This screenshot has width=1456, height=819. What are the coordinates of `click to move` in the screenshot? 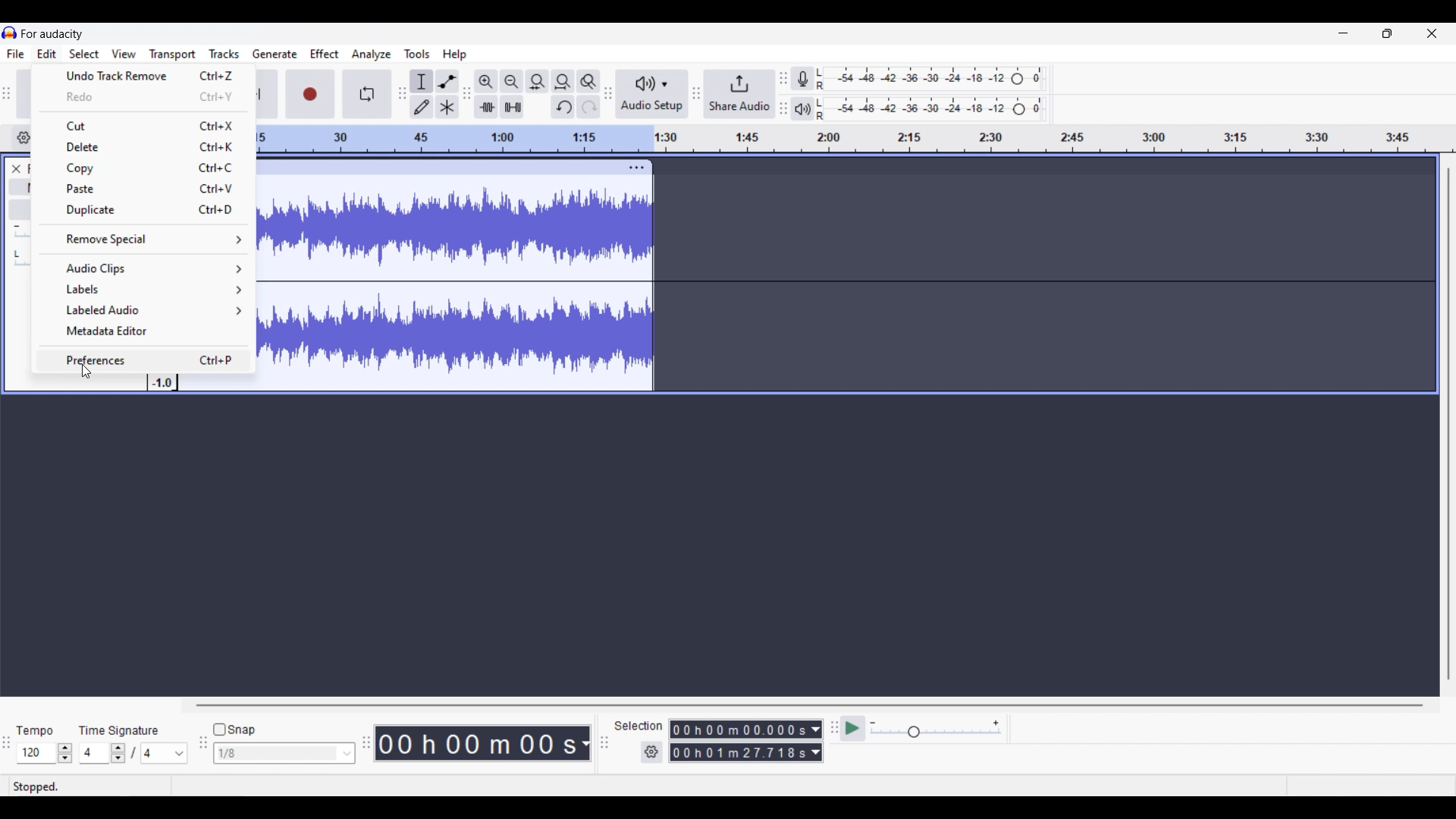 It's located at (438, 165).